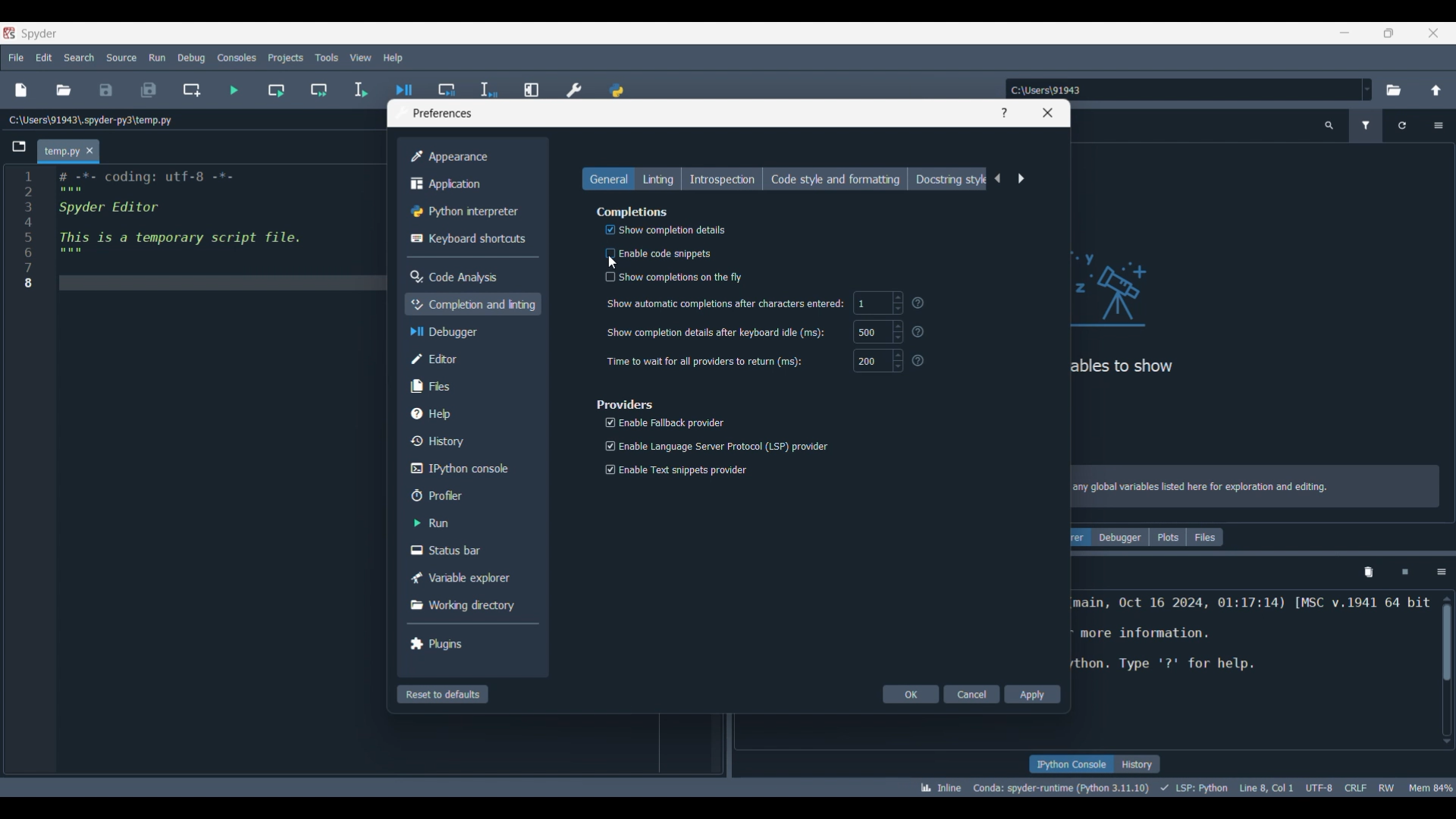  I want to click on Cursor, so click(613, 262).